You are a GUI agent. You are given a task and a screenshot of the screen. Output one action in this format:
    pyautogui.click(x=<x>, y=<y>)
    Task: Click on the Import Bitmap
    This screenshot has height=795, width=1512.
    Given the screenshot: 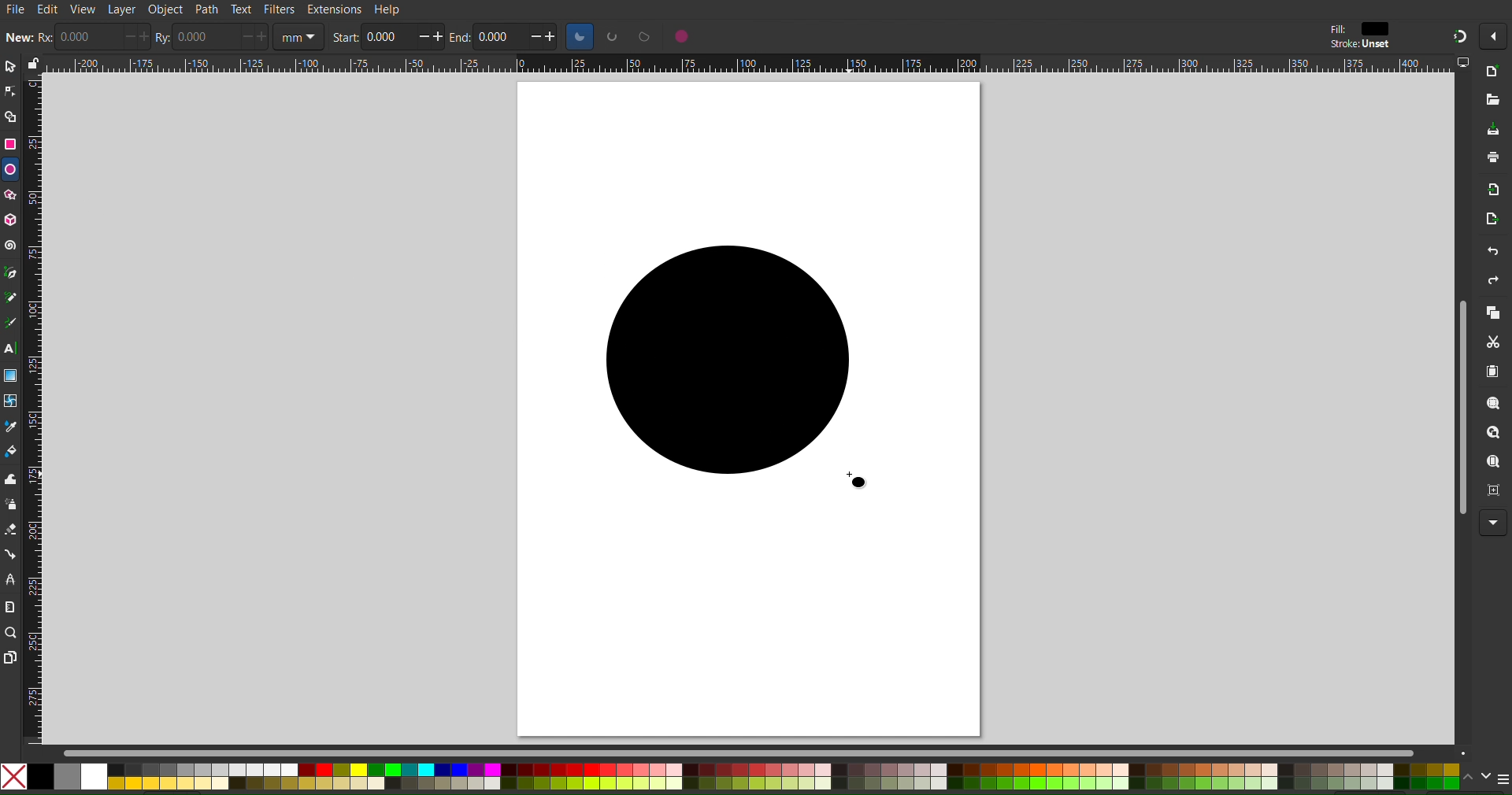 What is the action you would take?
    pyautogui.click(x=1492, y=190)
    